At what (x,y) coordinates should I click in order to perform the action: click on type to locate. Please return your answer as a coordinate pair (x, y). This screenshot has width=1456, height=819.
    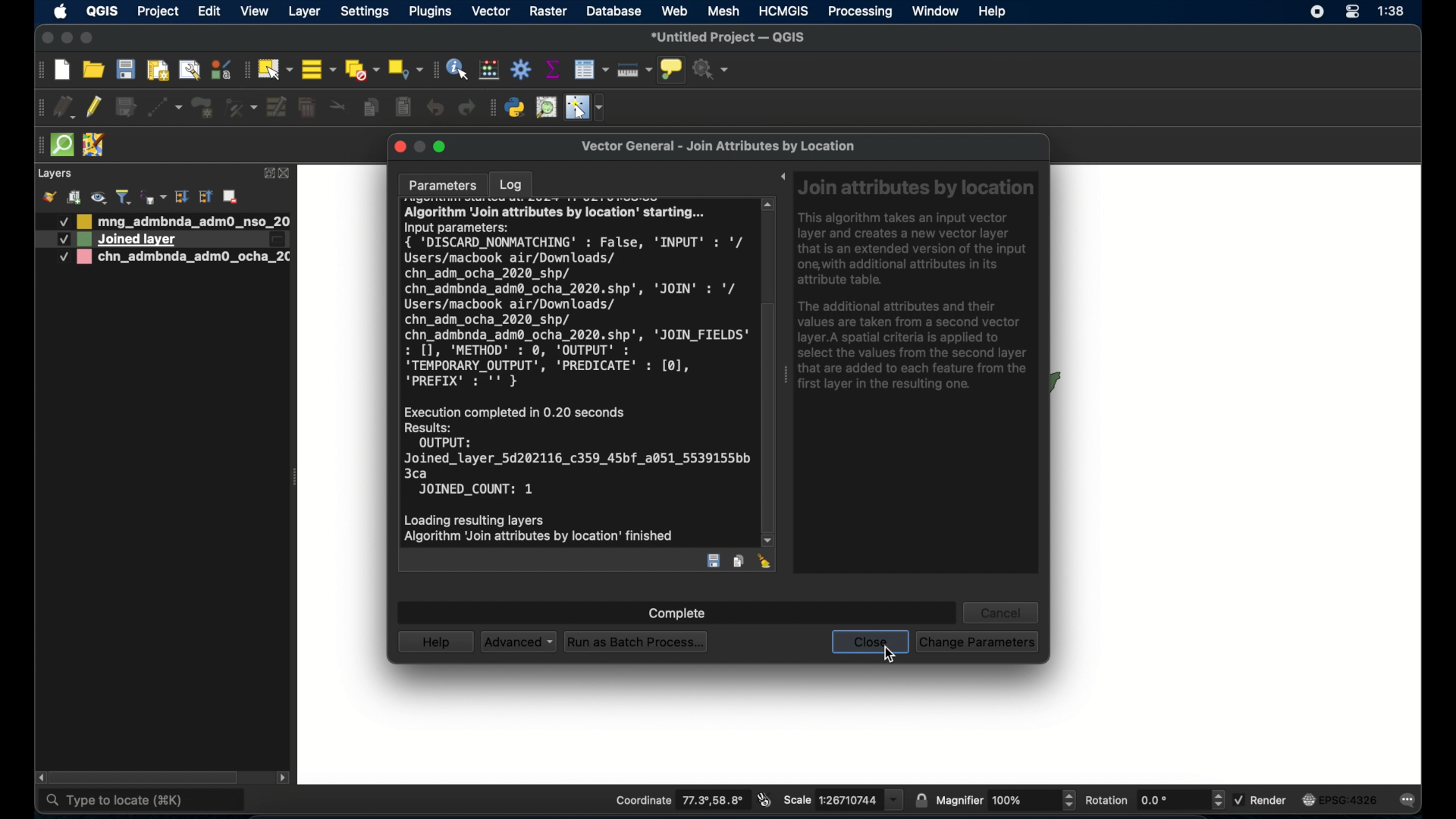
    Looking at the image, I should click on (143, 802).